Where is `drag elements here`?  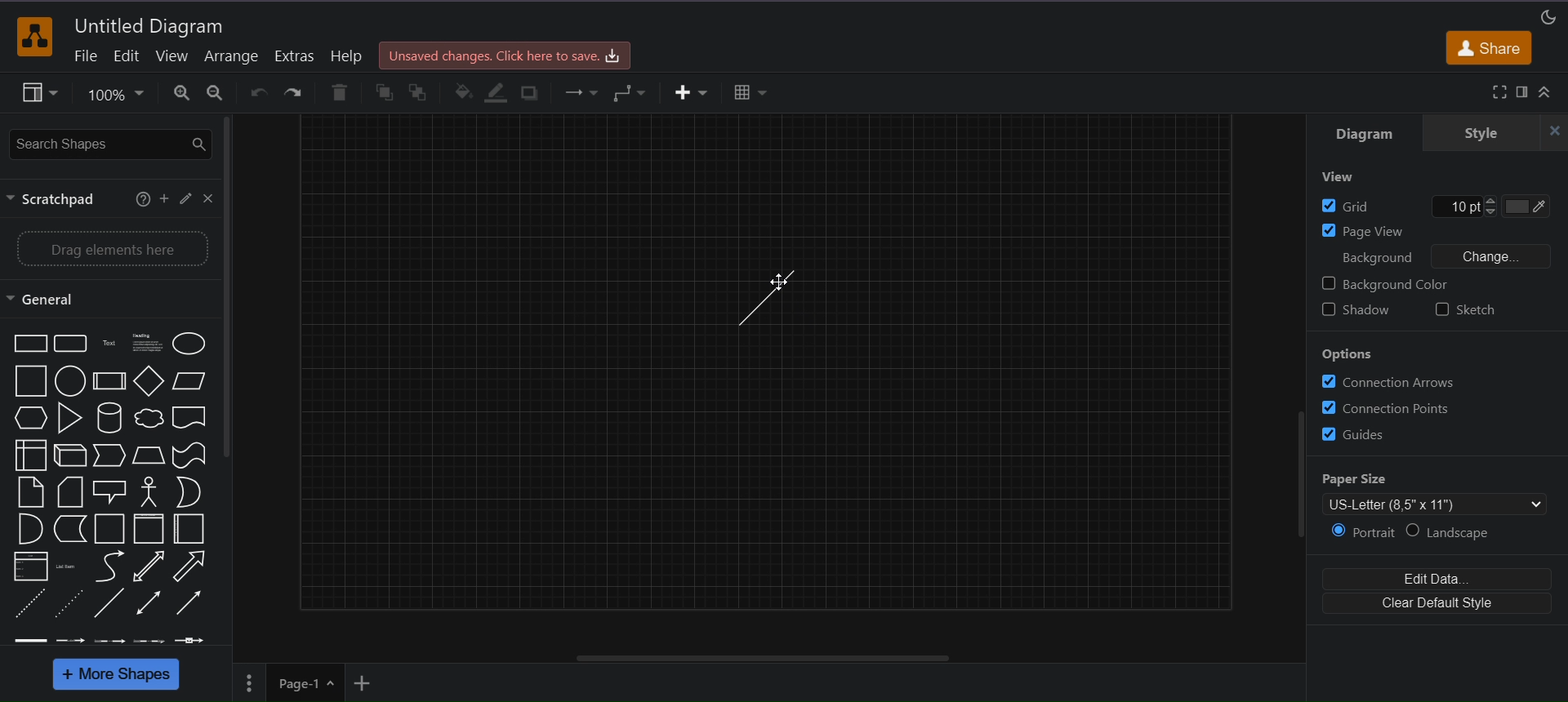
drag elements here is located at coordinates (110, 249).